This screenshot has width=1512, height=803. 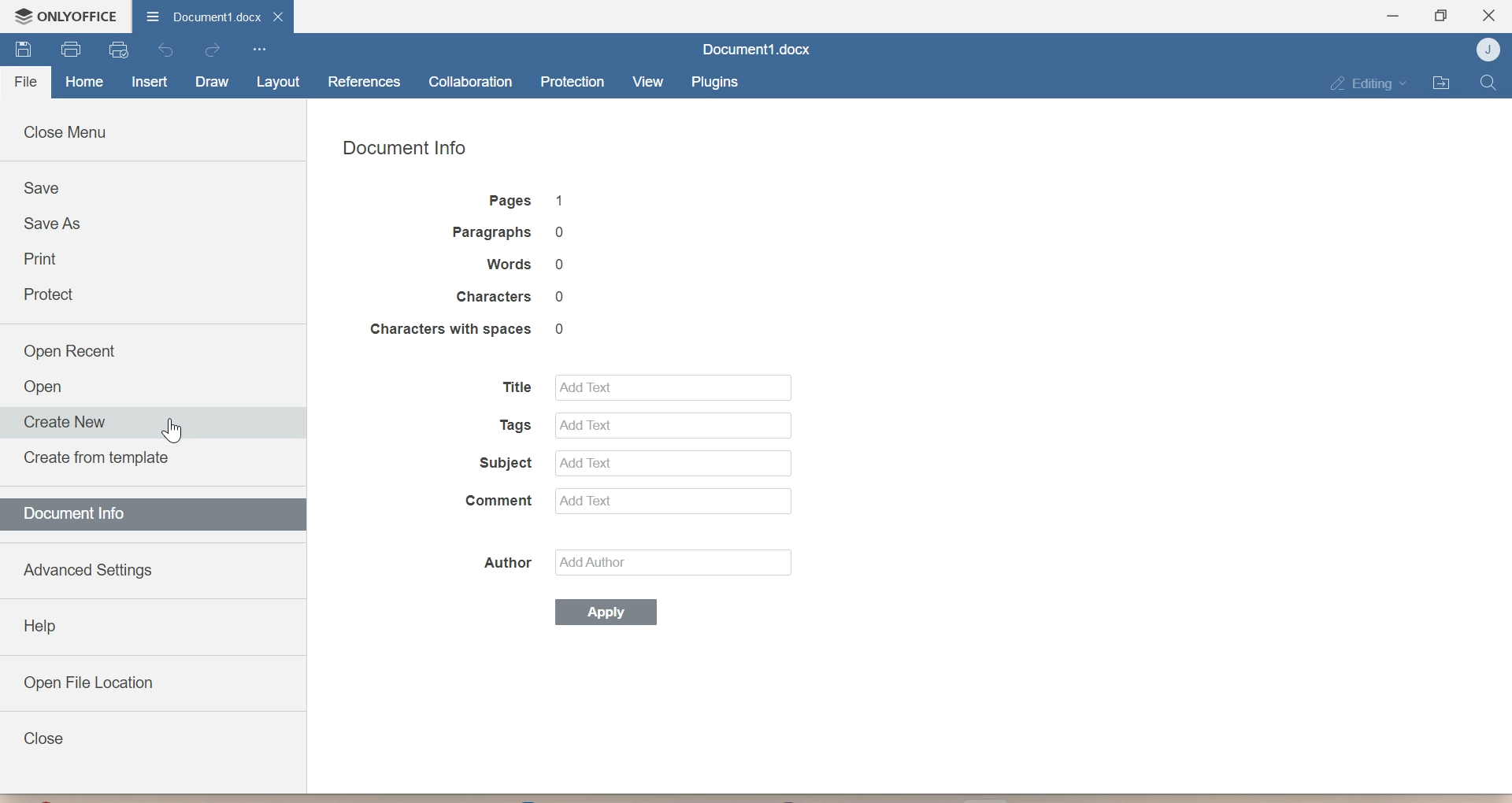 What do you see at coordinates (103, 461) in the screenshot?
I see `Create from template` at bounding box center [103, 461].